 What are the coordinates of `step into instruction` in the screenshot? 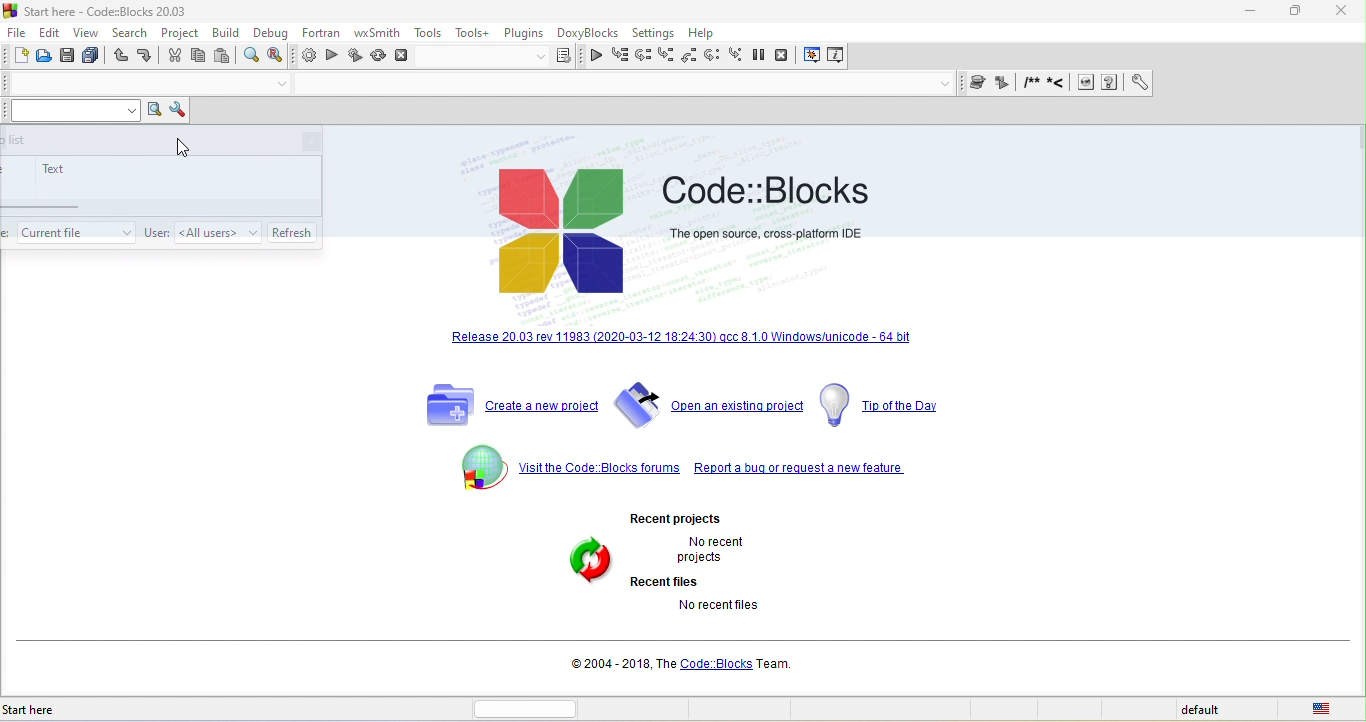 It's located at (738, 57).